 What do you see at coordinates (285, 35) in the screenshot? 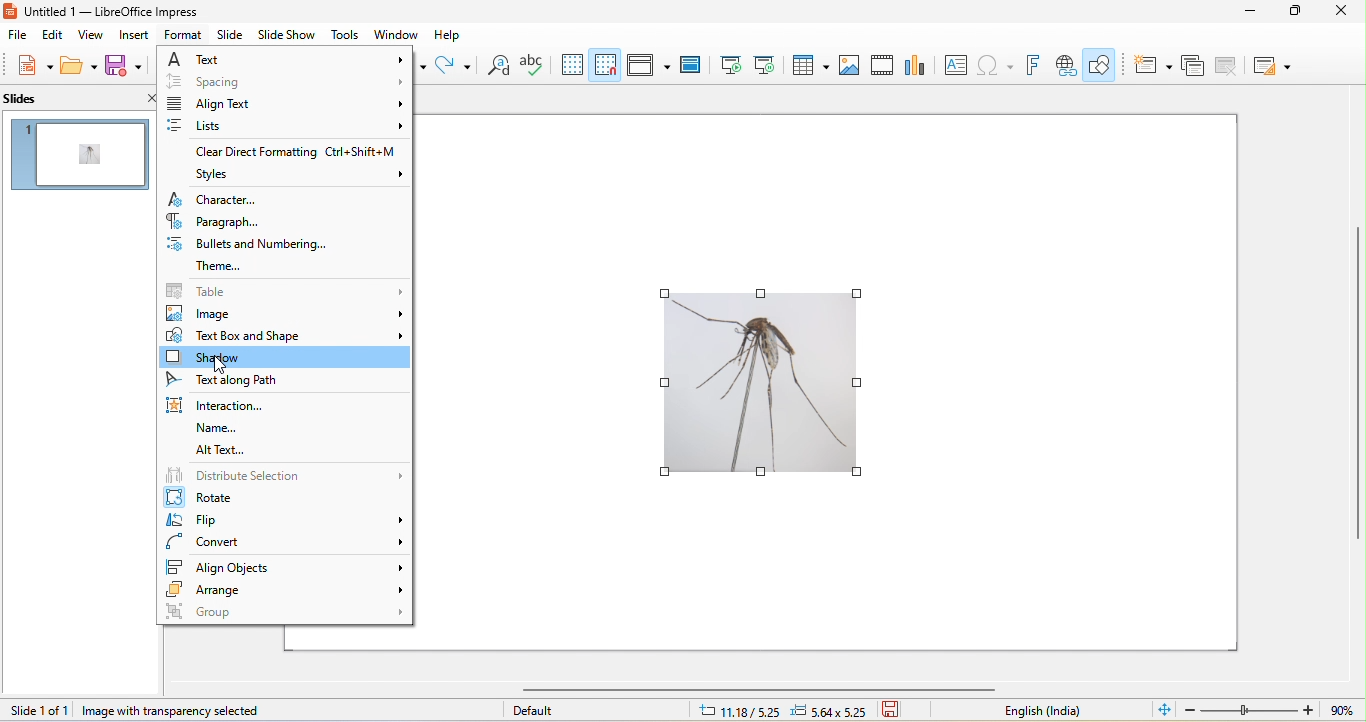
I see `slideshow` at bounding box center [285, 35].